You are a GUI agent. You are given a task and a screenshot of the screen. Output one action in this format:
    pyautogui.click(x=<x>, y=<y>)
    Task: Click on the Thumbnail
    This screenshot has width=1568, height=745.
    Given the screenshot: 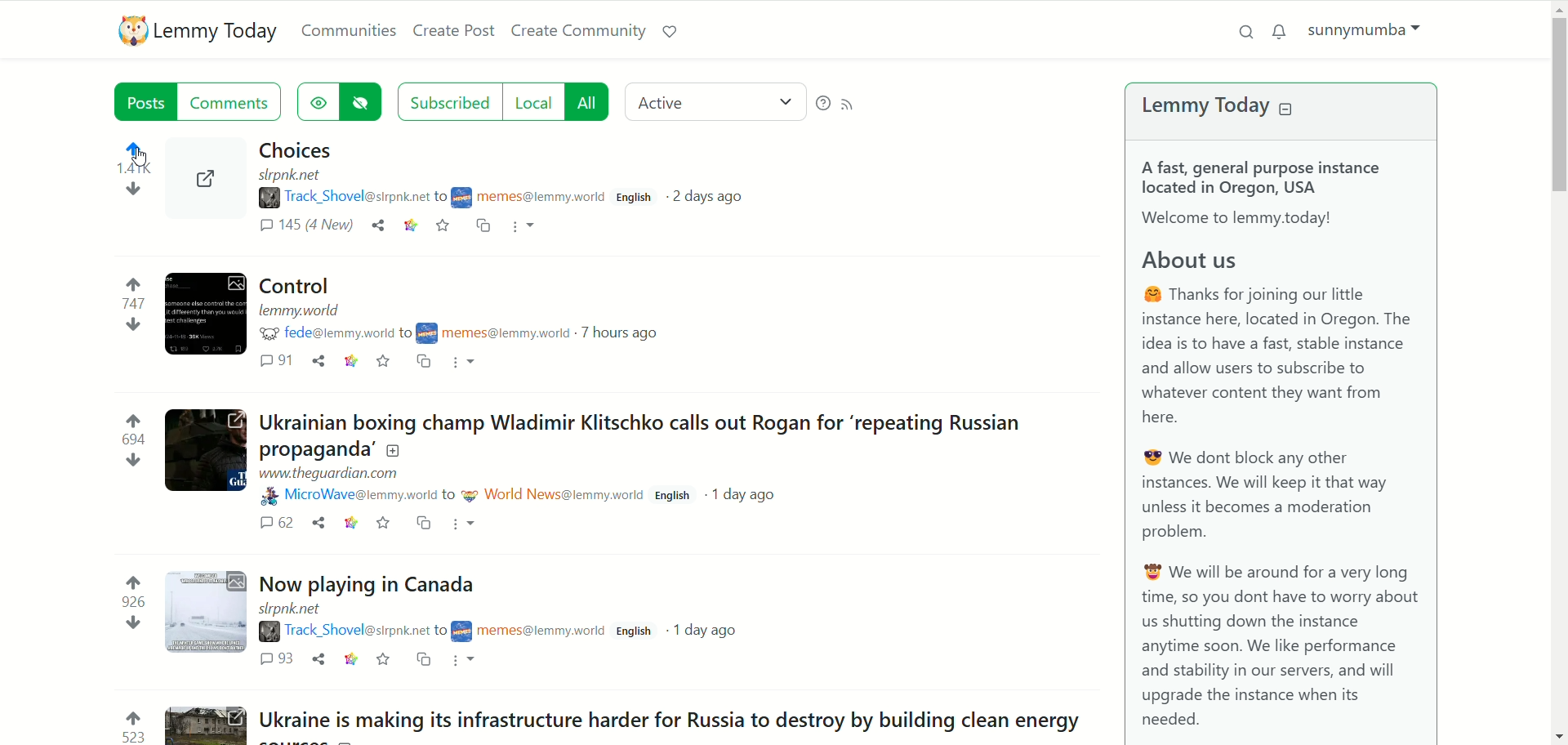 What is the action you would take?
    pyautogui.click(x=206, y=449)
    